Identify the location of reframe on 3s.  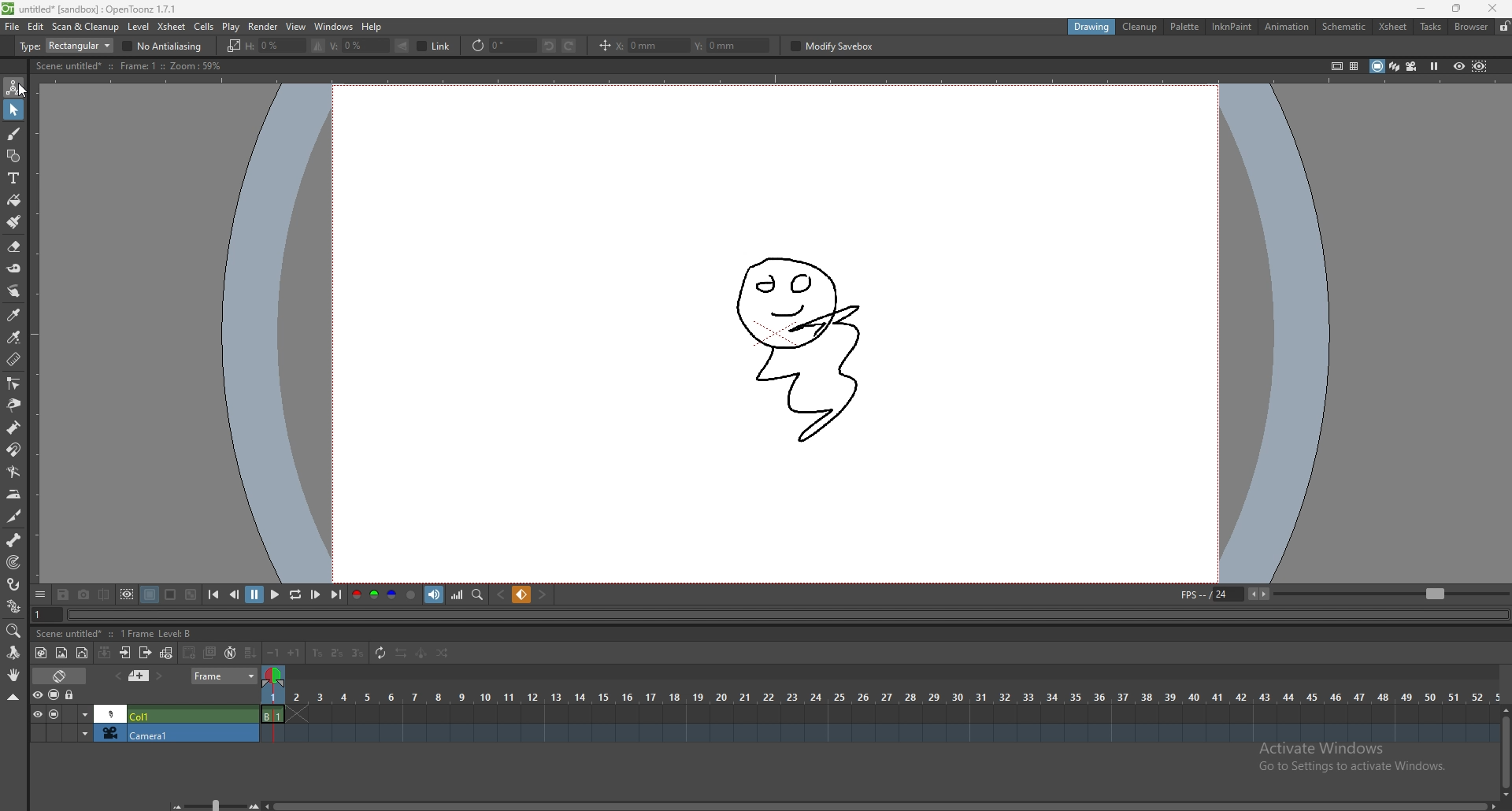
(355, 653).